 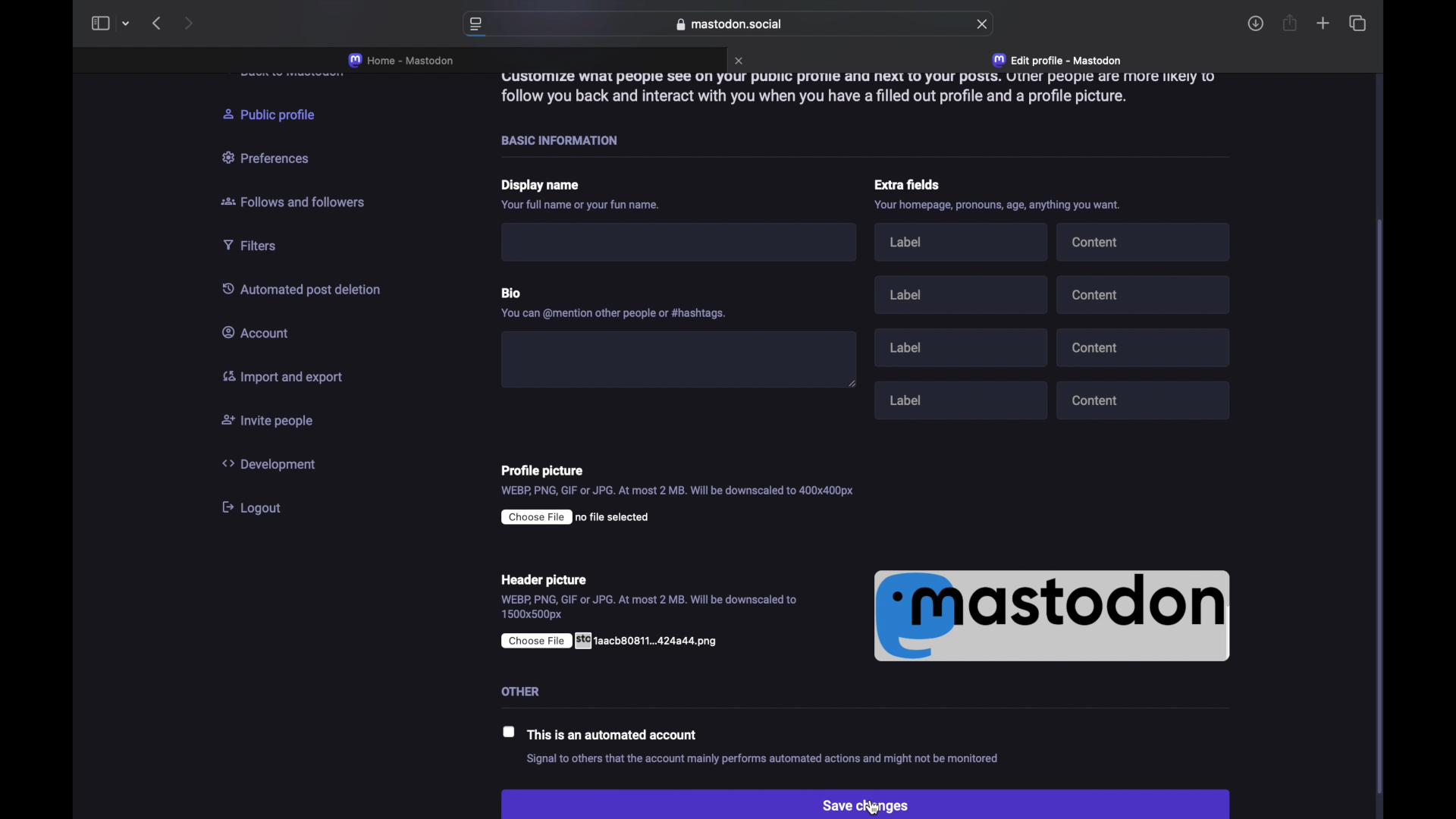 What do you see at coordinates (126, 24) in the screenshot?
I see `tab group picker` at bounding box center [126, 24].